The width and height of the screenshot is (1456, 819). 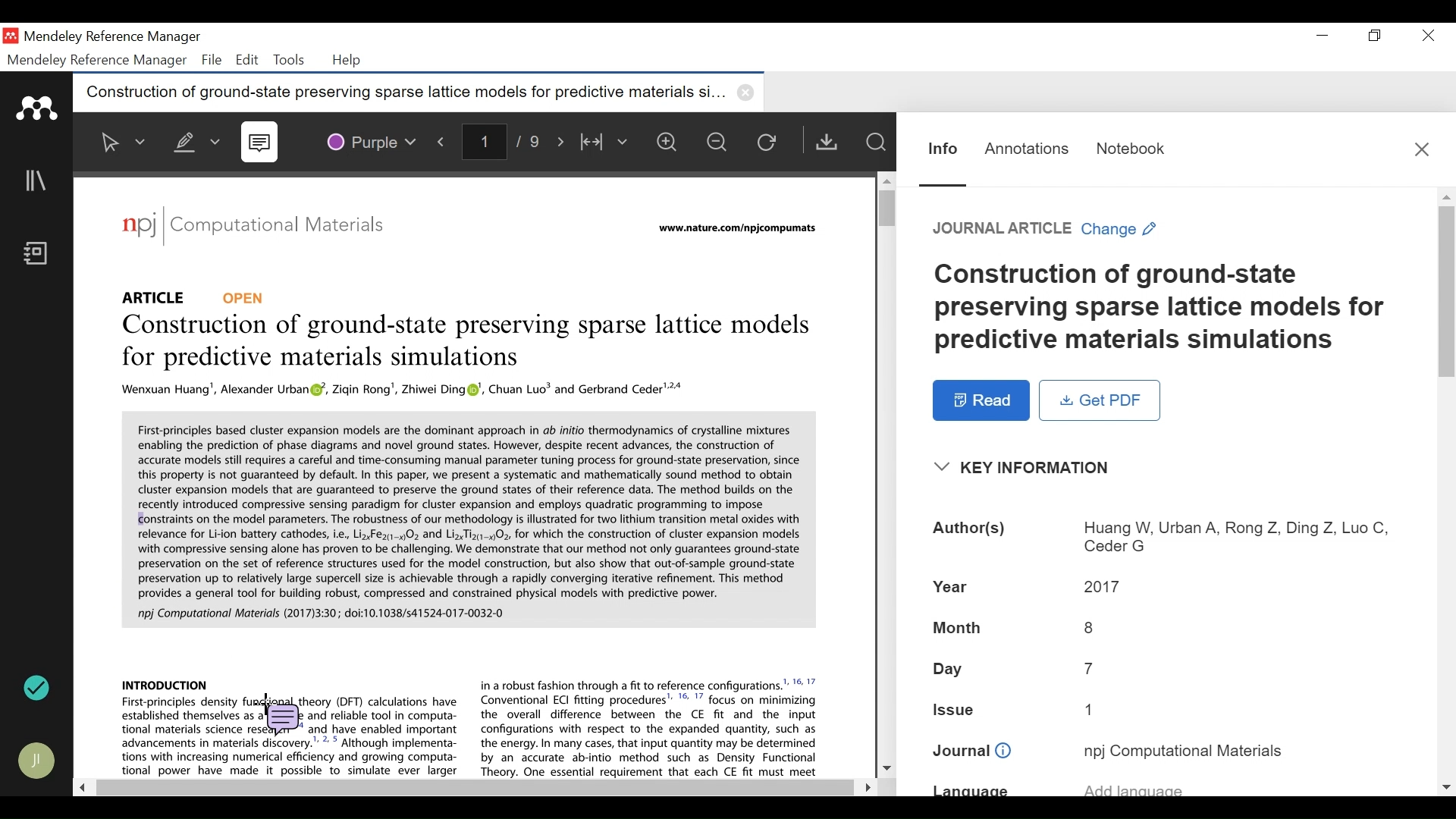 I want to click on Edit, so click(x=247, y=60).